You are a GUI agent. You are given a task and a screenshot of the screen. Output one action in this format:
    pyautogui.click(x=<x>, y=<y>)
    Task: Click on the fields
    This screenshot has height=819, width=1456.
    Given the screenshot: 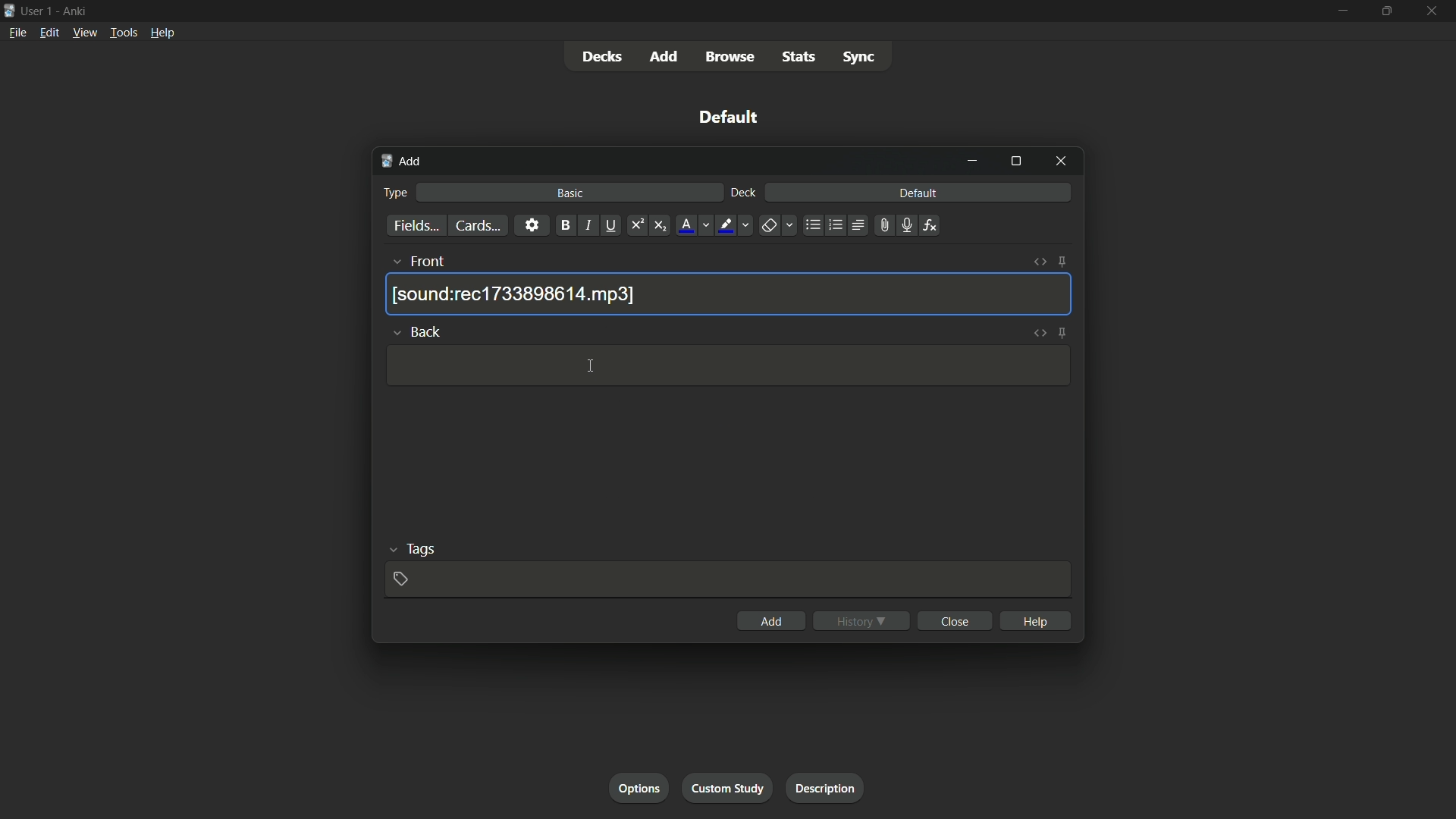 What is the action you would take?
    pyautogui.click(x=415, y=226)
    